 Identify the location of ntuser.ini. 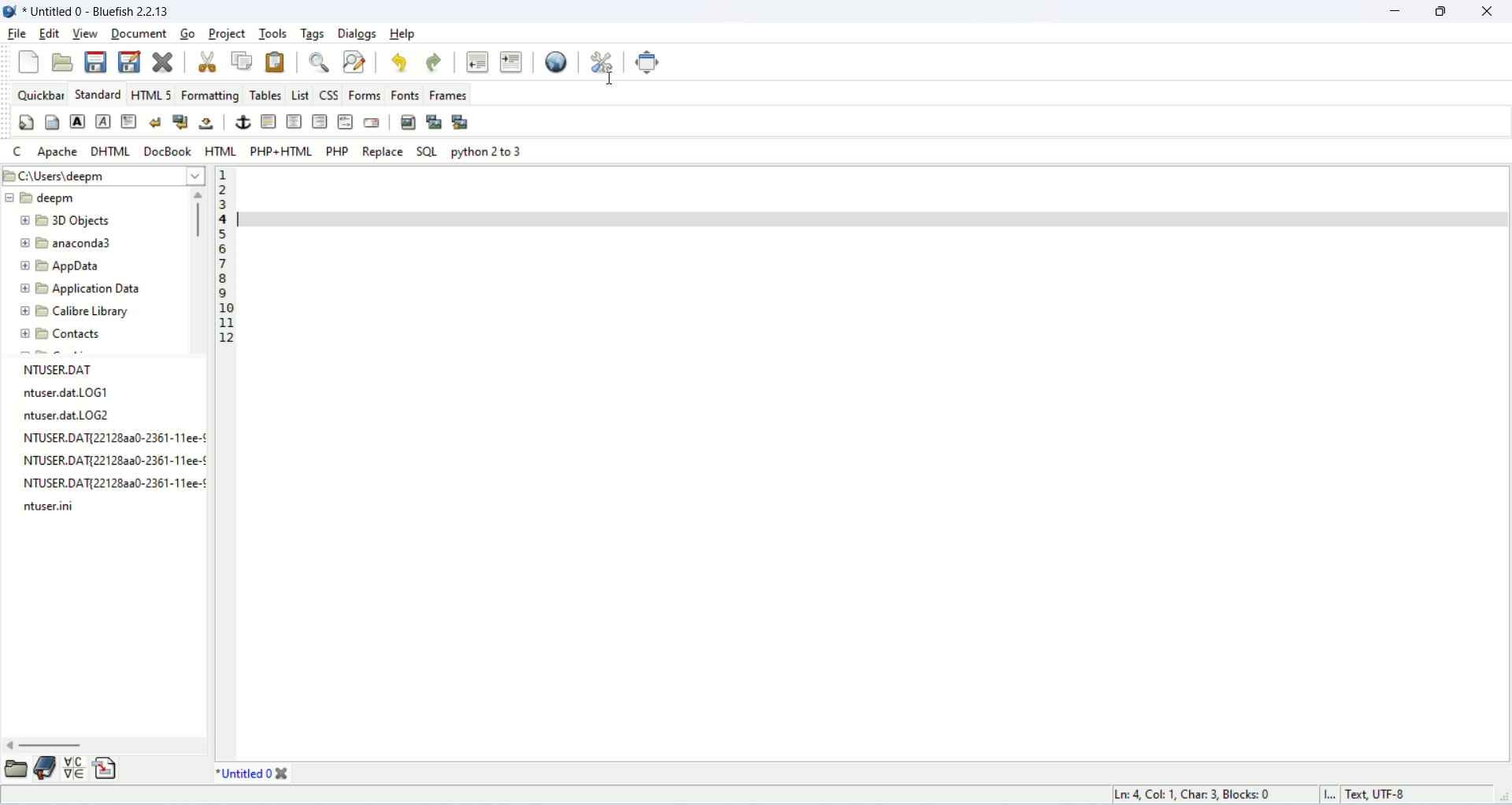
(52, 506).